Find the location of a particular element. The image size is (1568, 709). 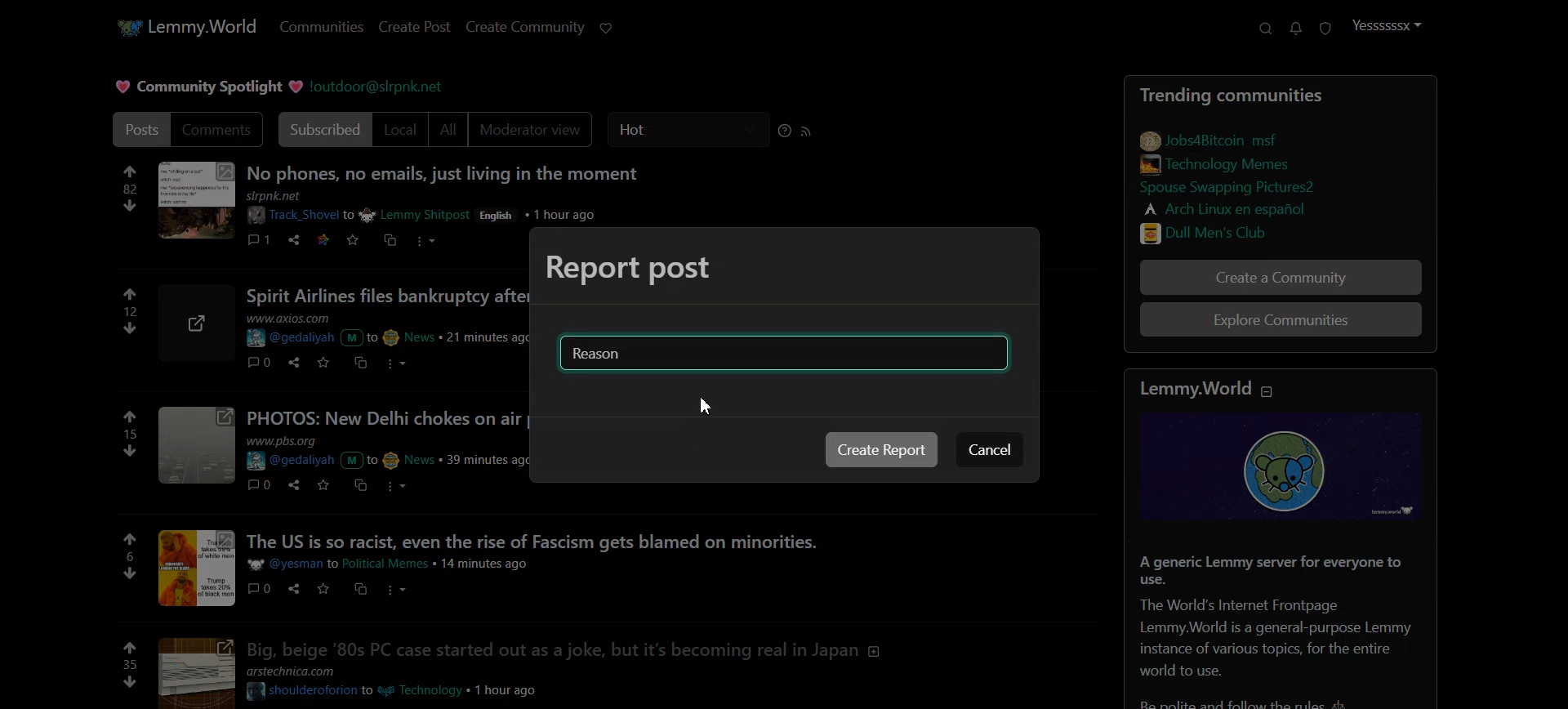

Local is located at coordinates (401, 130).